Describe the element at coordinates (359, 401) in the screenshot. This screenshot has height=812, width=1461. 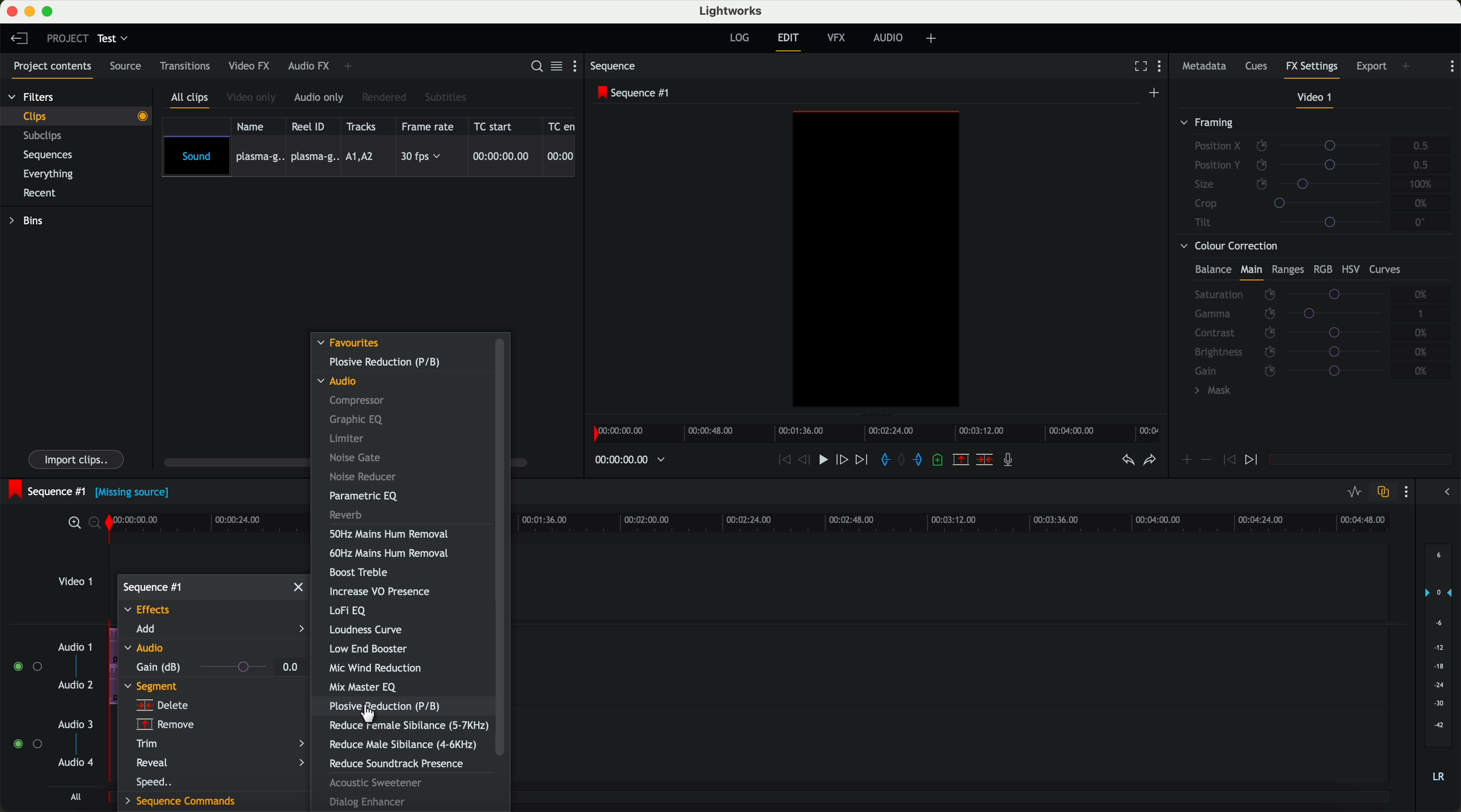
I see `compressor` at that location.